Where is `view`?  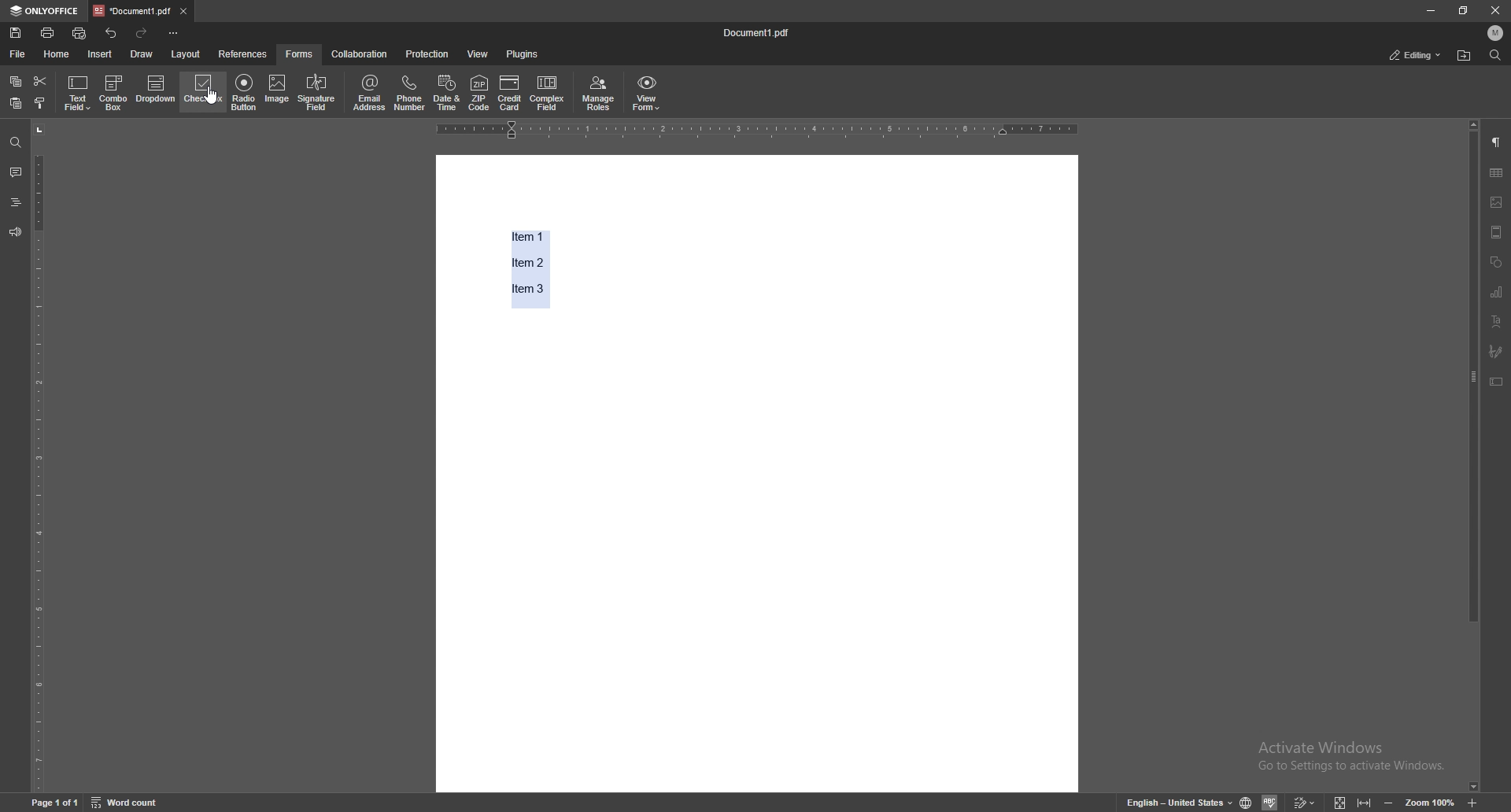
view is located at coordinates (478, 54).